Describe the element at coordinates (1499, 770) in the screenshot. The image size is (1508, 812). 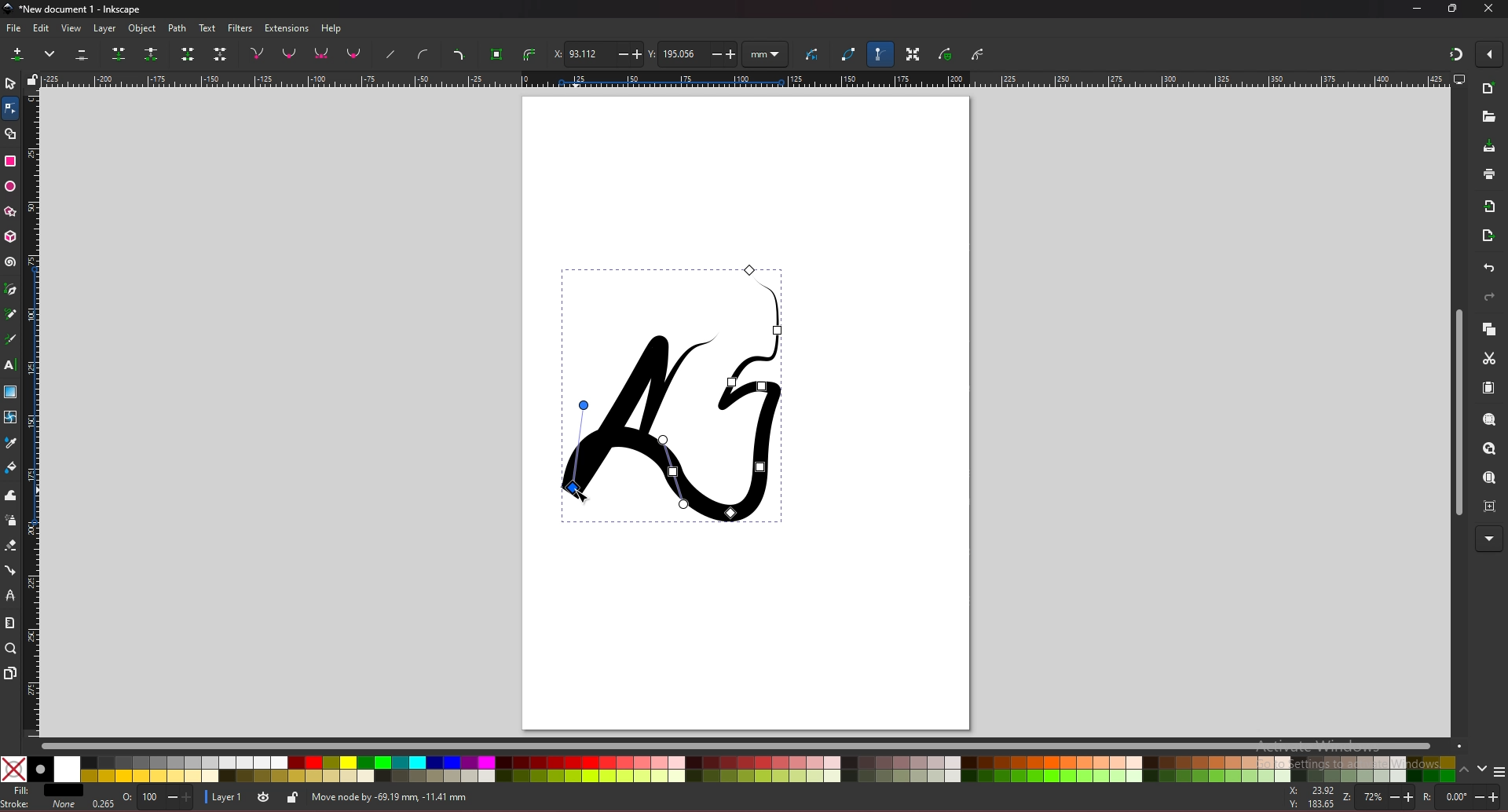
I see `more colors` at that location.